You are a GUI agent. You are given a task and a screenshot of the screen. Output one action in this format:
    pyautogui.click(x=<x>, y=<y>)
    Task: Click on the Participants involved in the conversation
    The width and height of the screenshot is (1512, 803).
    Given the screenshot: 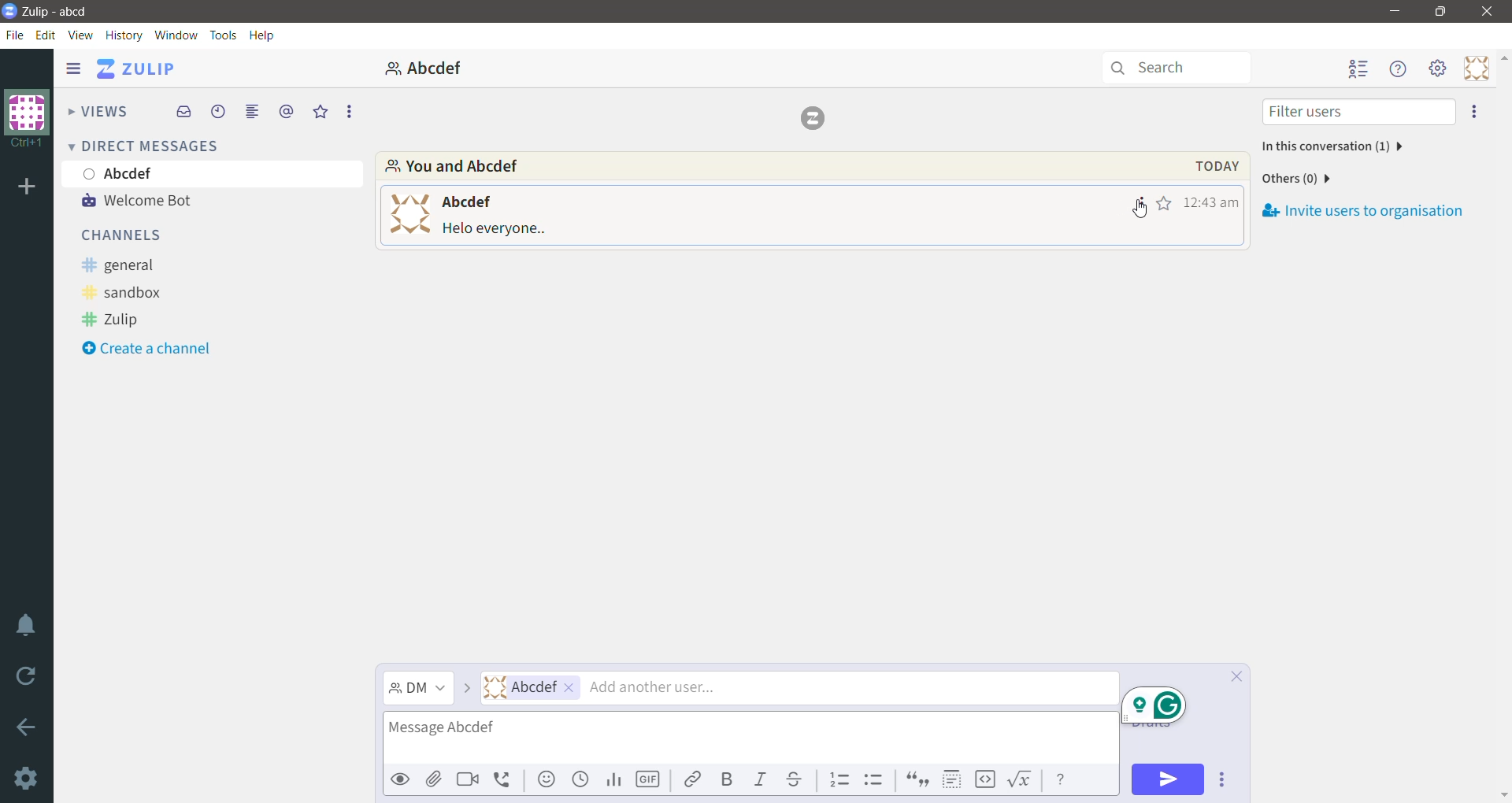 What is the action you would take?
    pyautogui.click(x=744, y=165)
    